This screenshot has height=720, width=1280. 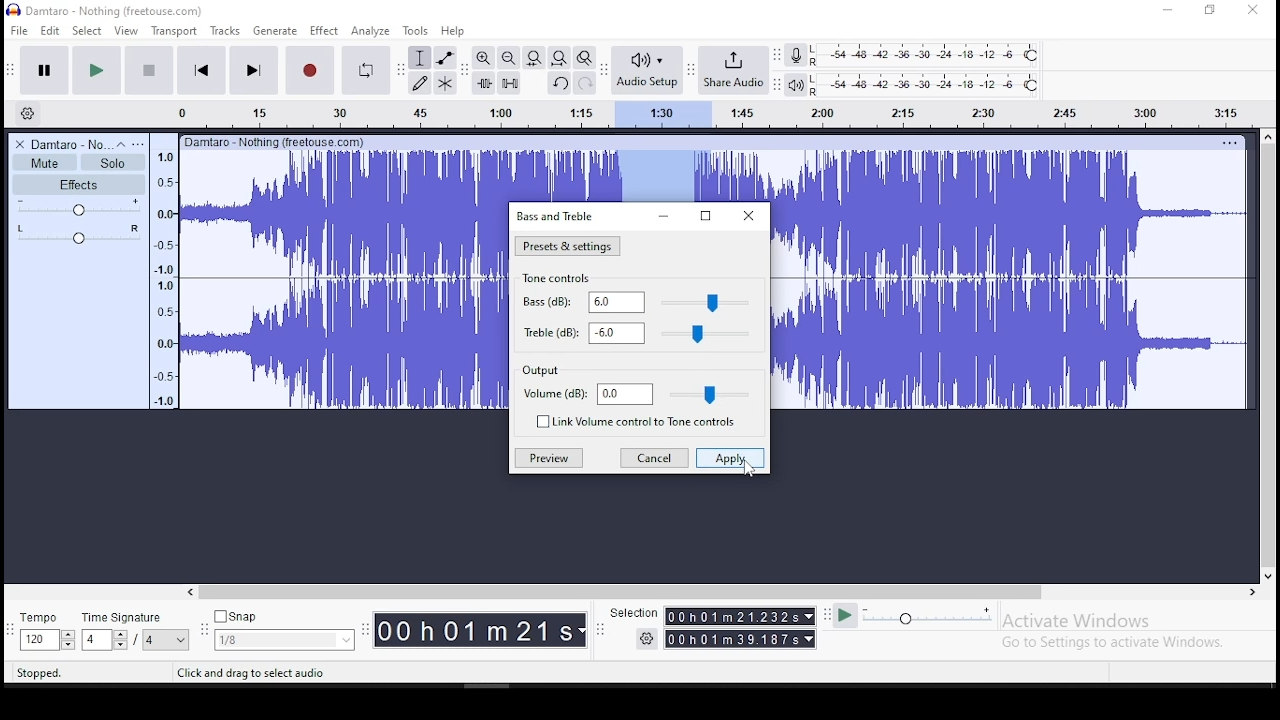 What do you see at coordinates (557, 215) in the screenshot?
I see `bass and treble` at bounding box center [557, 215].